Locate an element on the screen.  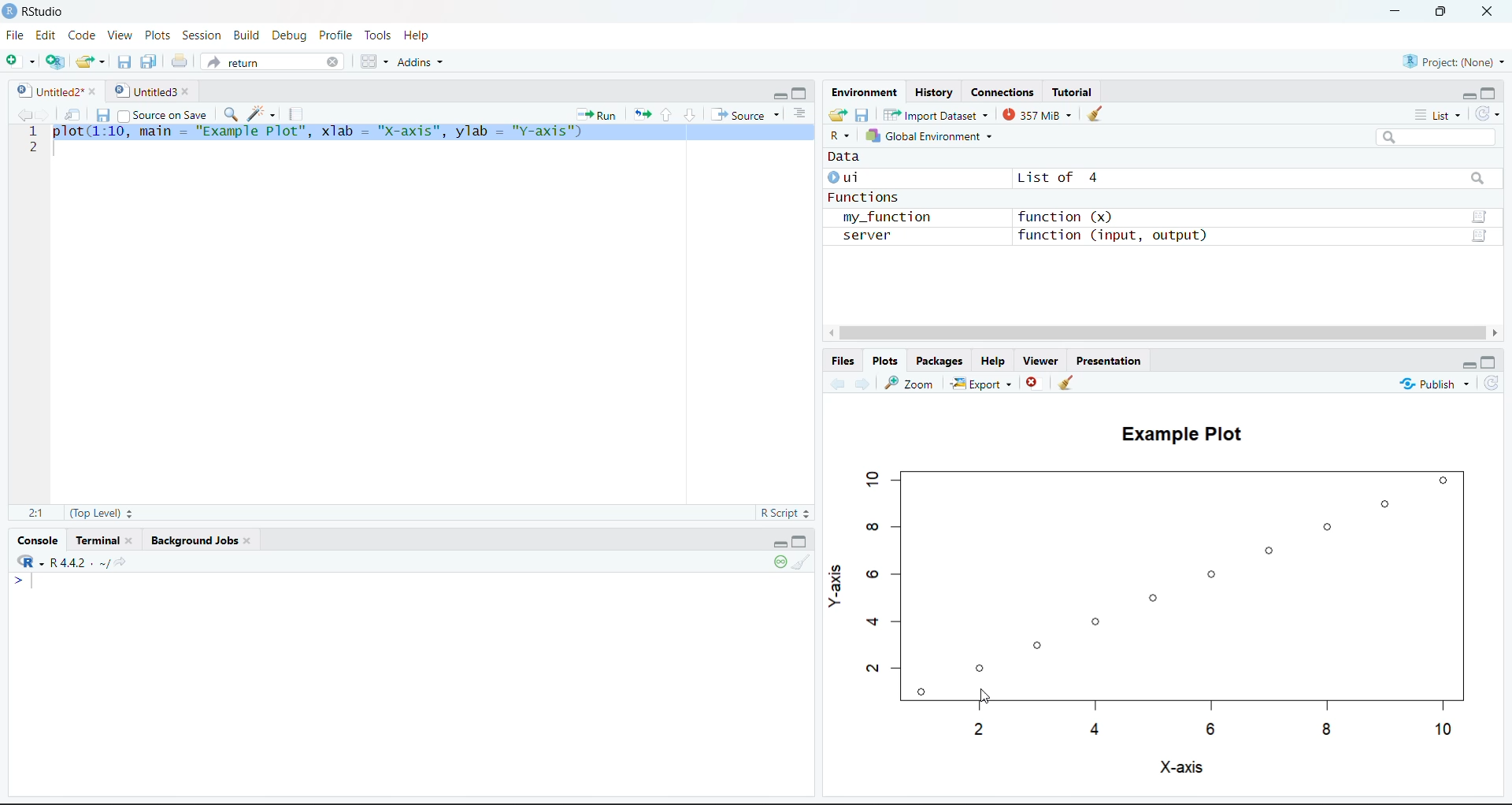
RScript is located at coordinates (784, 514).